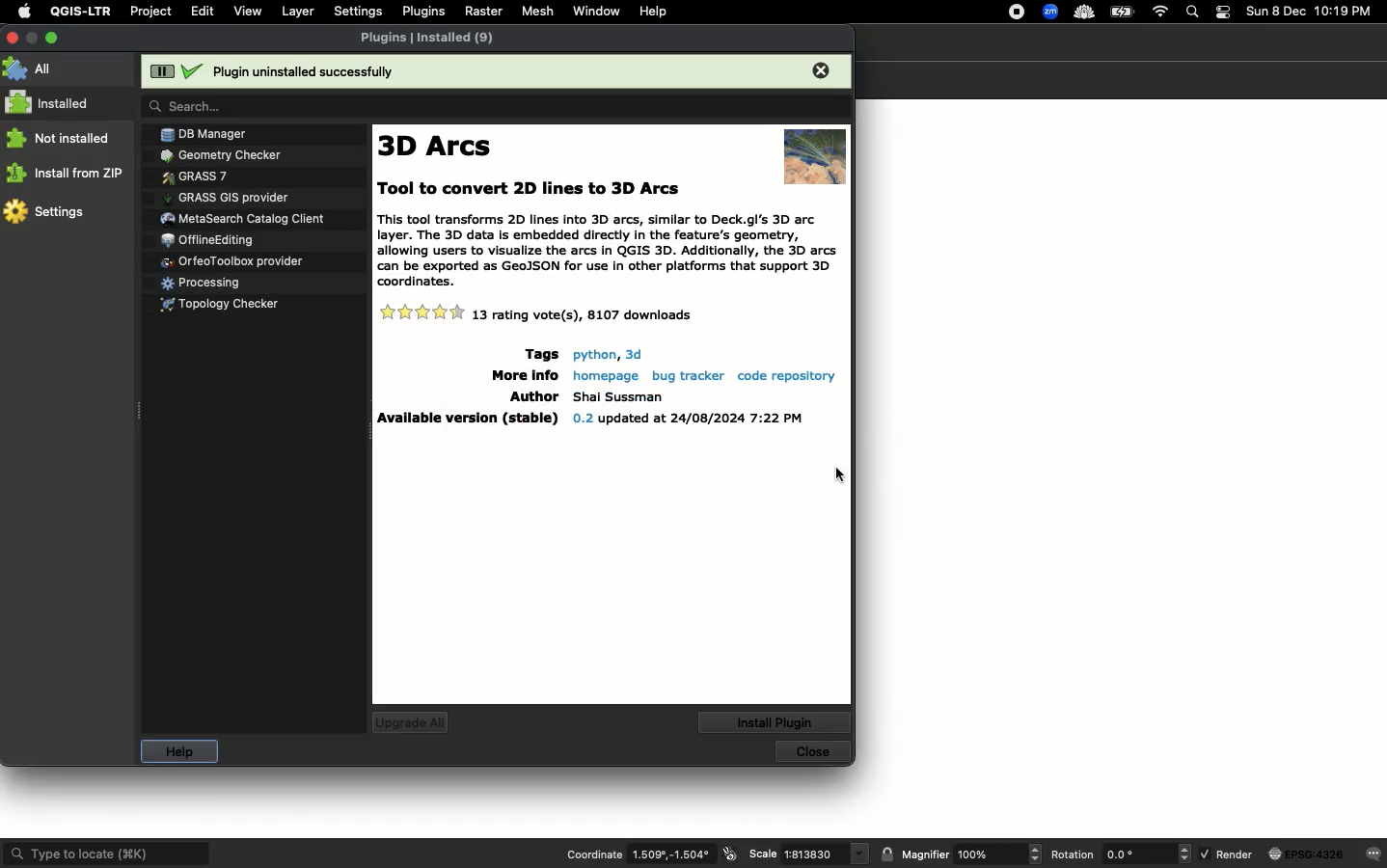  What do you see at coordinates (229, 283) in the screenshot?
I see `Plugins` at bounding box center [229, 283].